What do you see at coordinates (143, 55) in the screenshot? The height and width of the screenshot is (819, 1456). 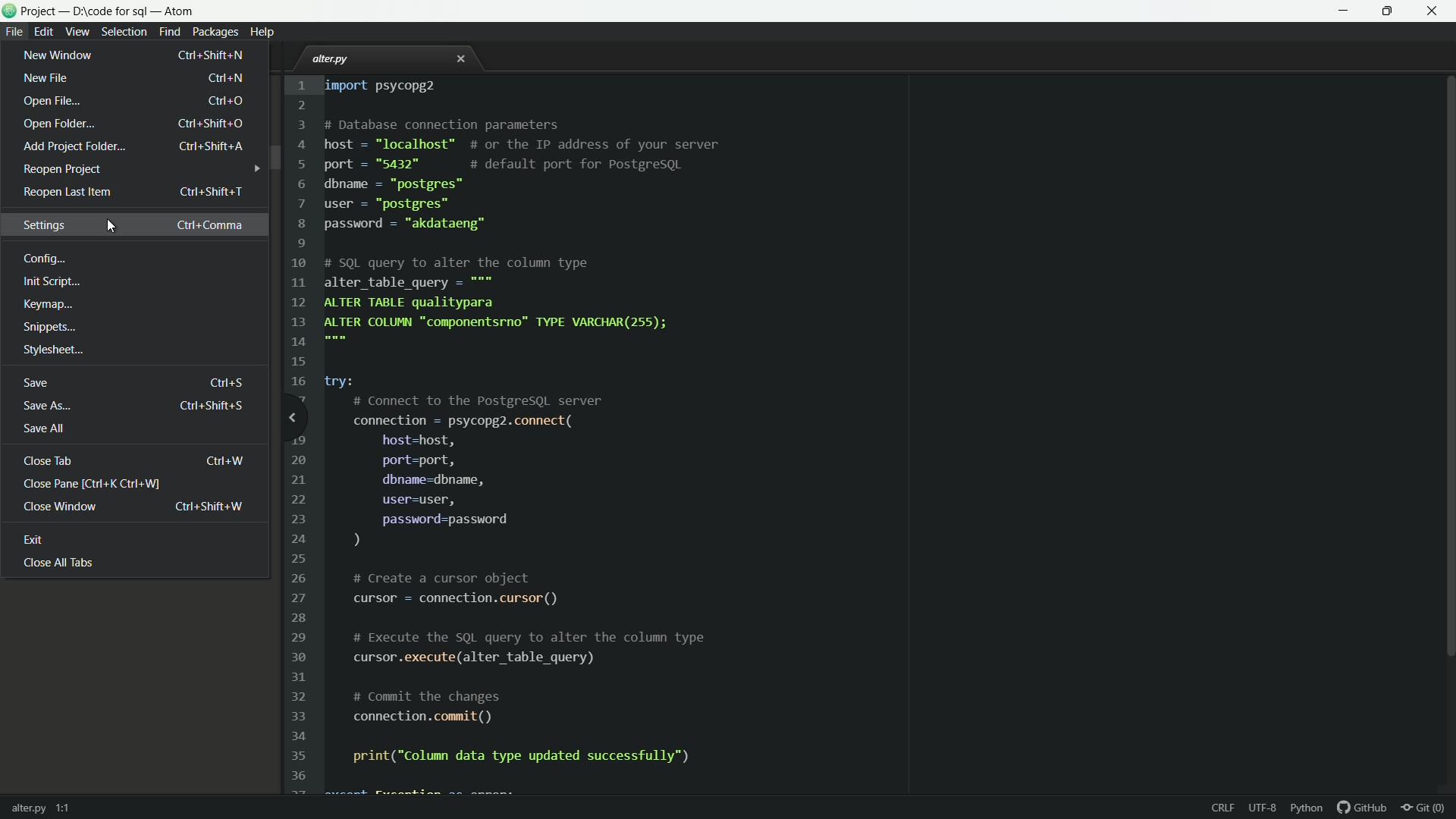 I see `new window` at bounding box center [143, 55].